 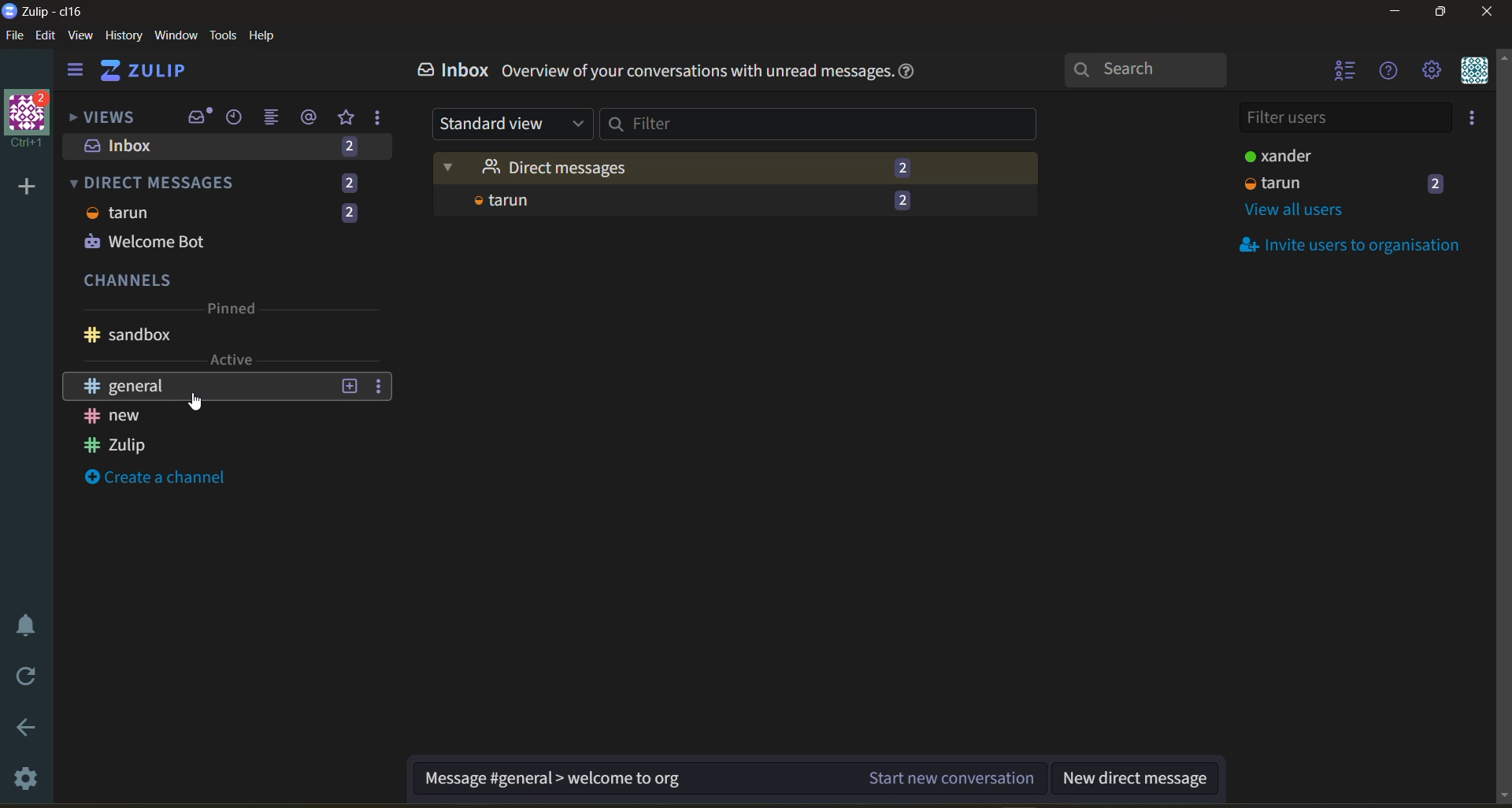 What do you see at coordinates (199, 117) in the screenshot?
I see `inbox` at bounding box center [199, 117].